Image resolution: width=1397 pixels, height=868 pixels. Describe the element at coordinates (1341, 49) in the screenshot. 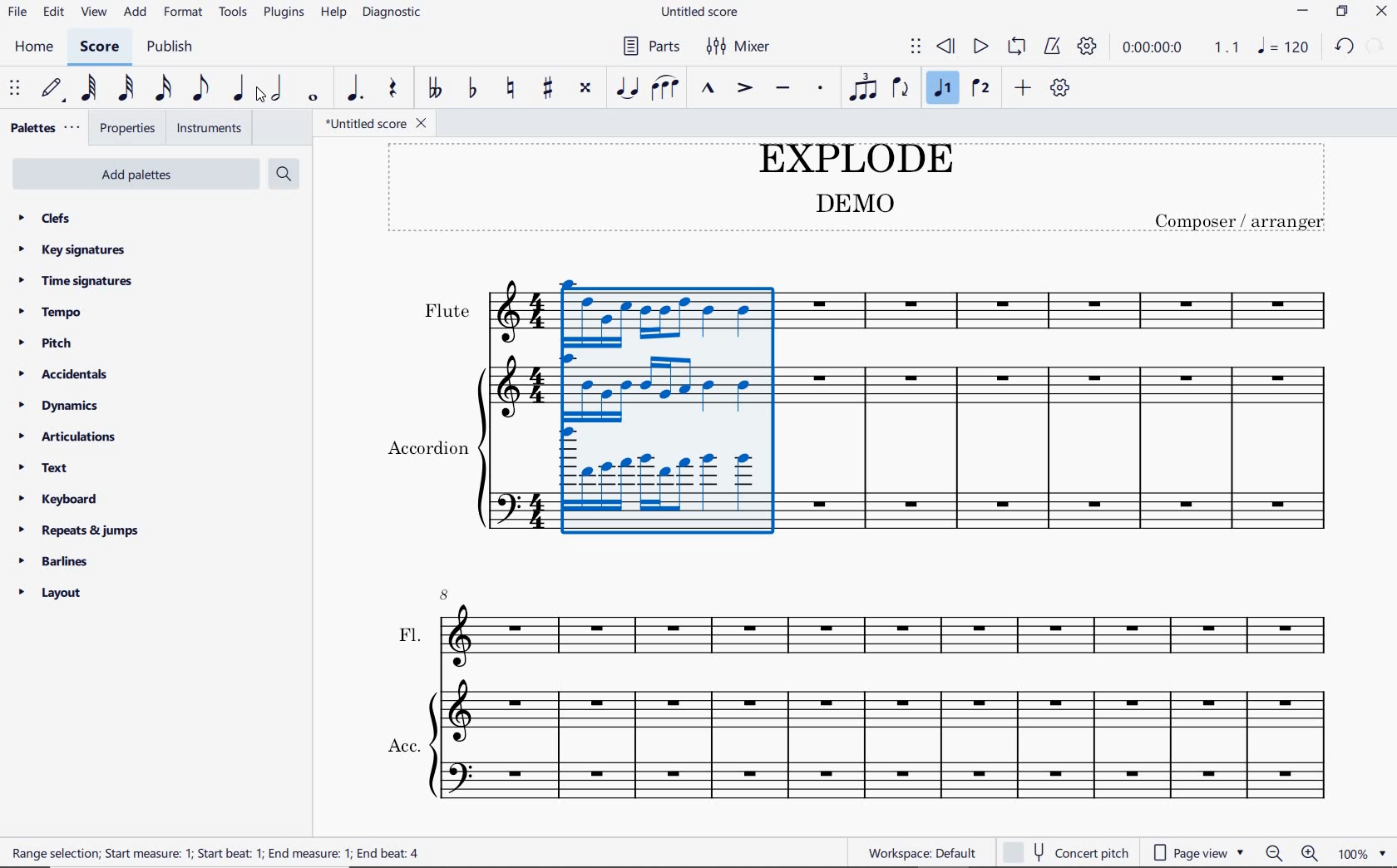

I see `redo` at that location.